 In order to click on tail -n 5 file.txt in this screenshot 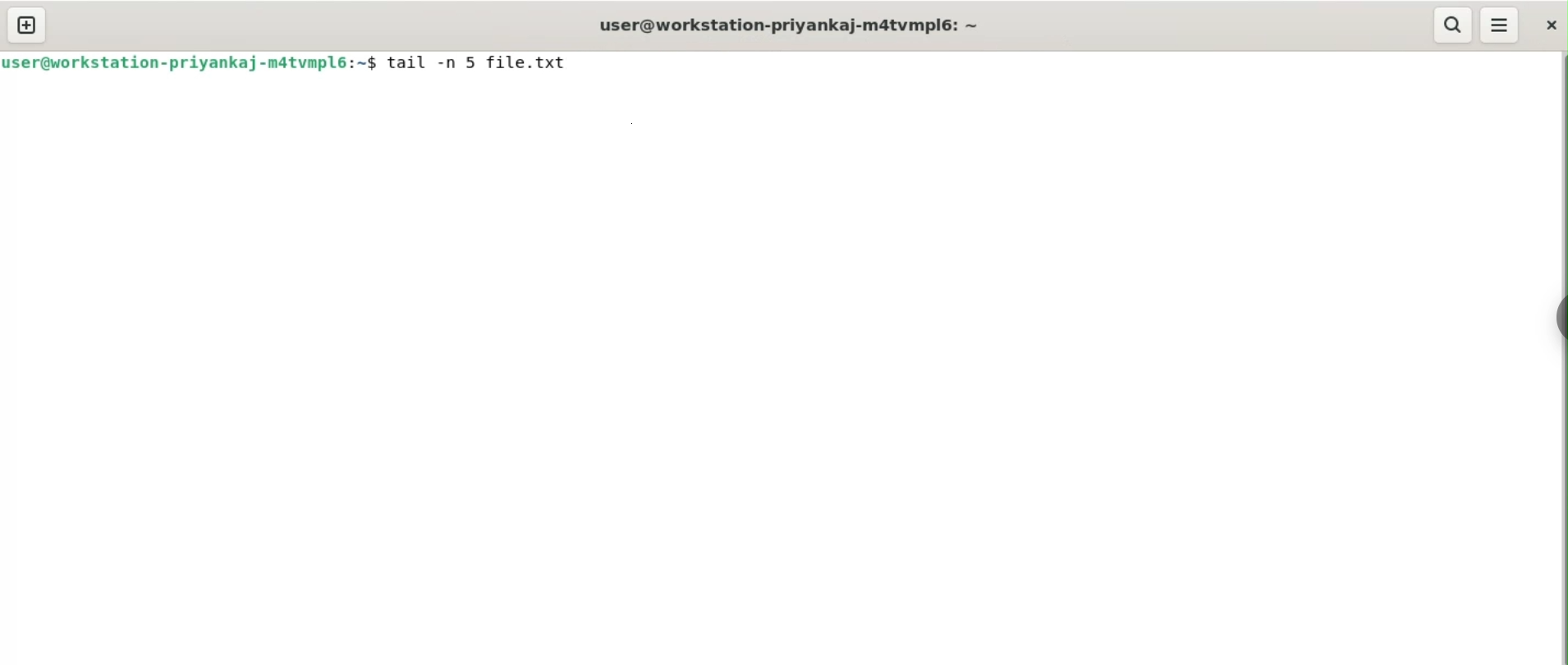, I will do `click(479, 62)`.